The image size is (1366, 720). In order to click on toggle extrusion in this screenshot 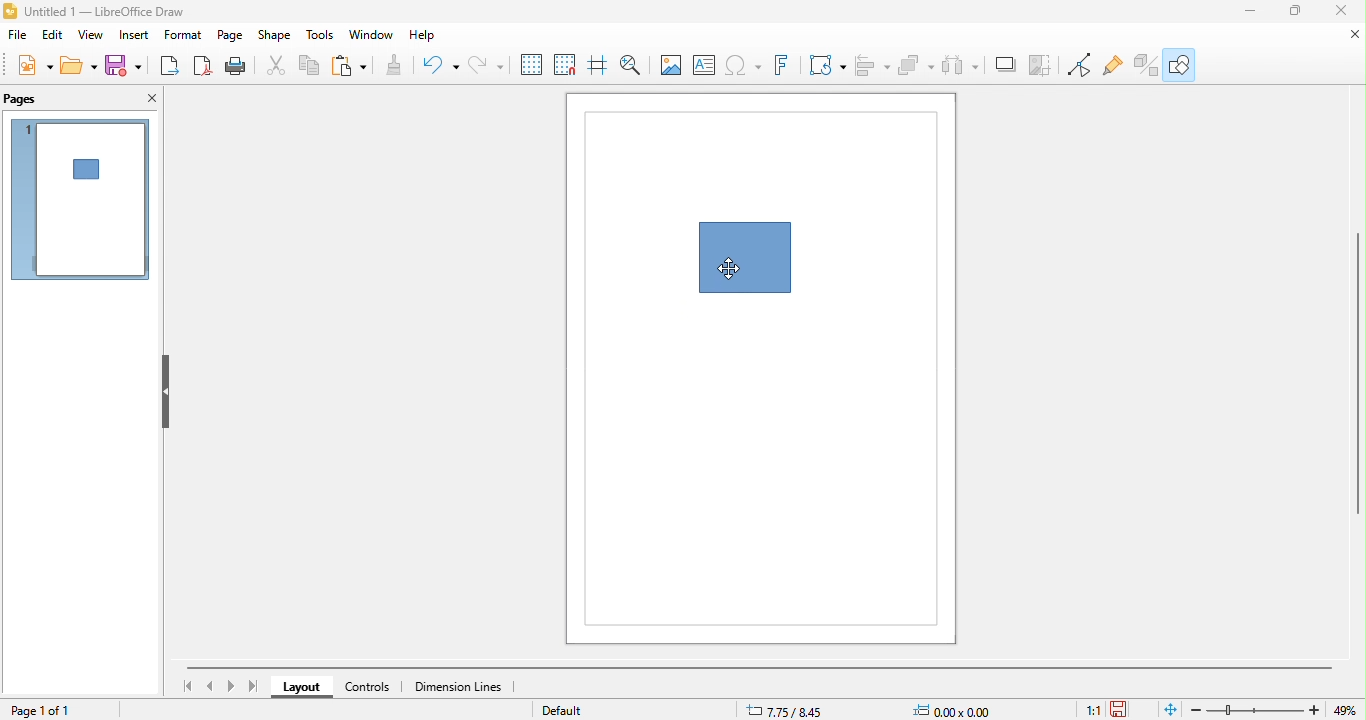, I will do `click(1142, 65)`.